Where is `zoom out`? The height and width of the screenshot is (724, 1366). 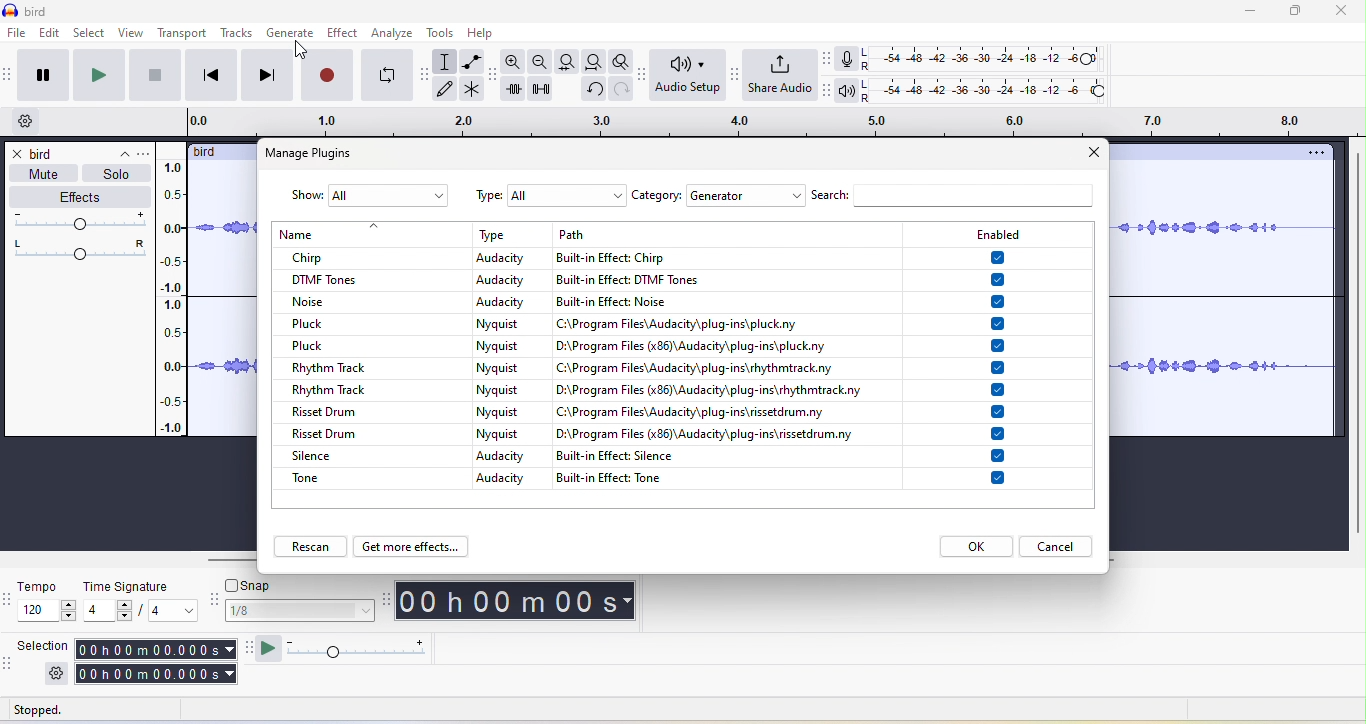 zoom out is located at coordinates (540, 61).